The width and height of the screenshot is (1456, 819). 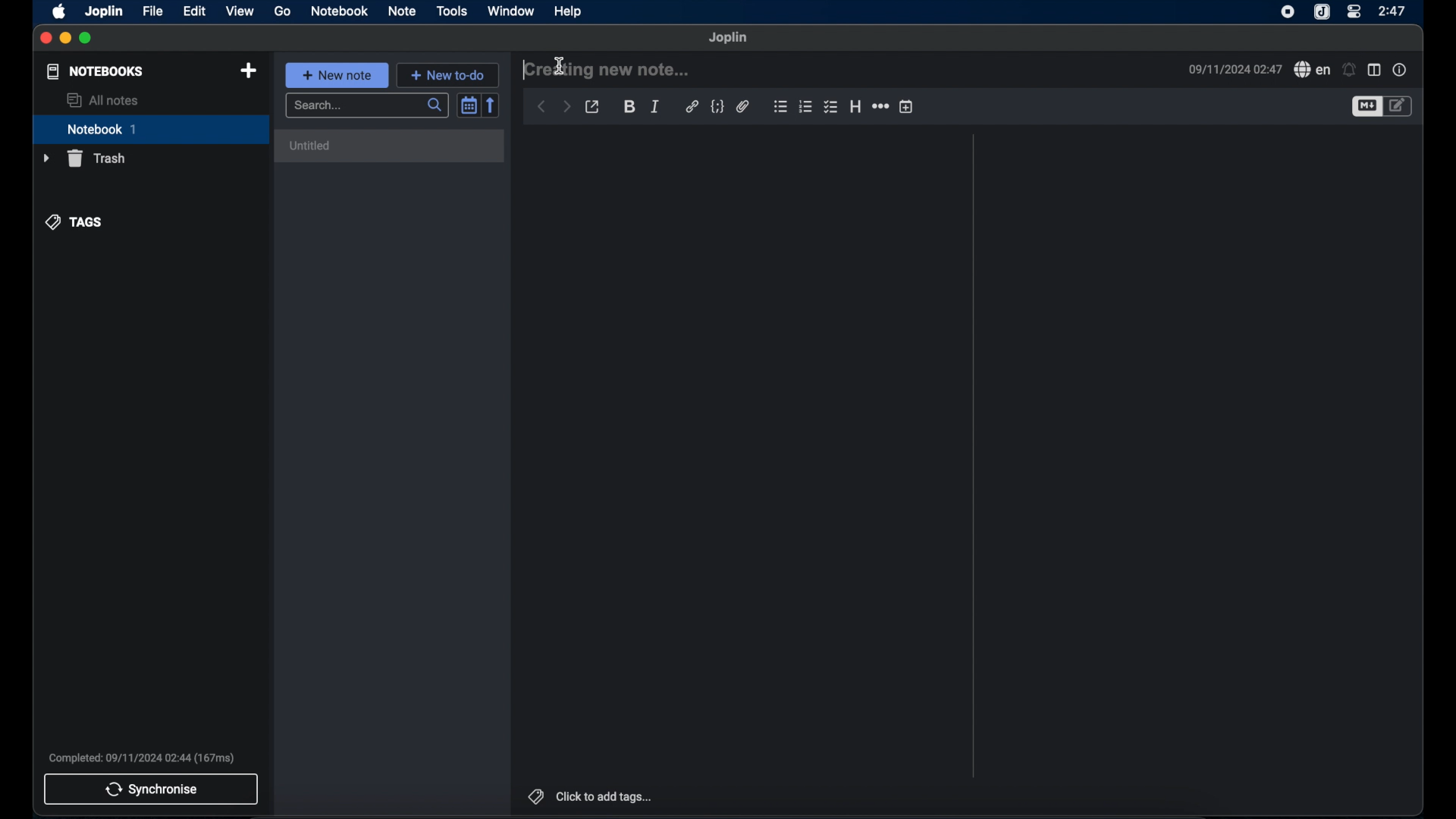 What do you see at coordinates (907, 107) in the screenshot?
I see `insert time` at bounding box center [907, 107].